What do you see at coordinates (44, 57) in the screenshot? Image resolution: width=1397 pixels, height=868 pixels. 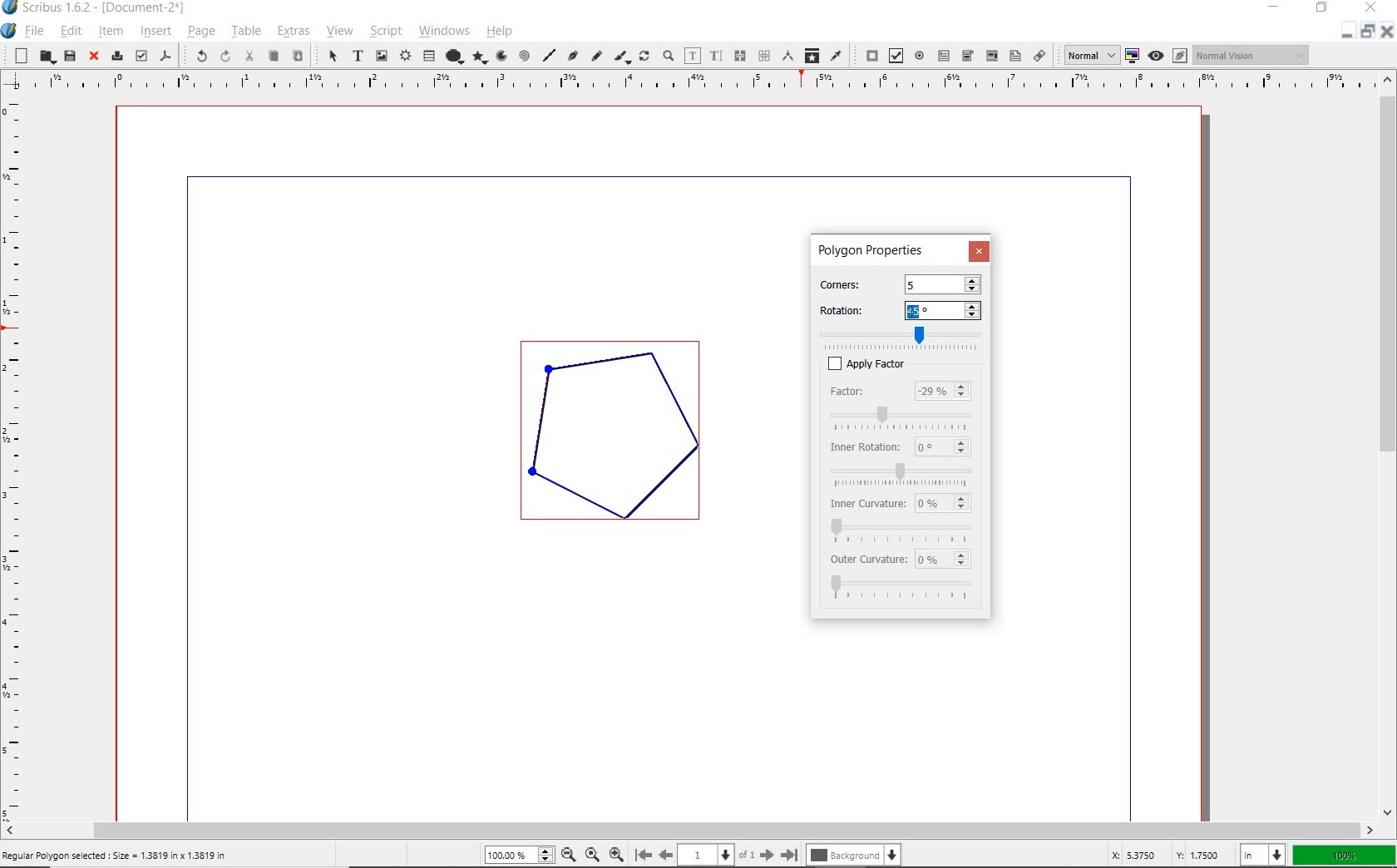 I see `open` at bounding box center [44, 57].